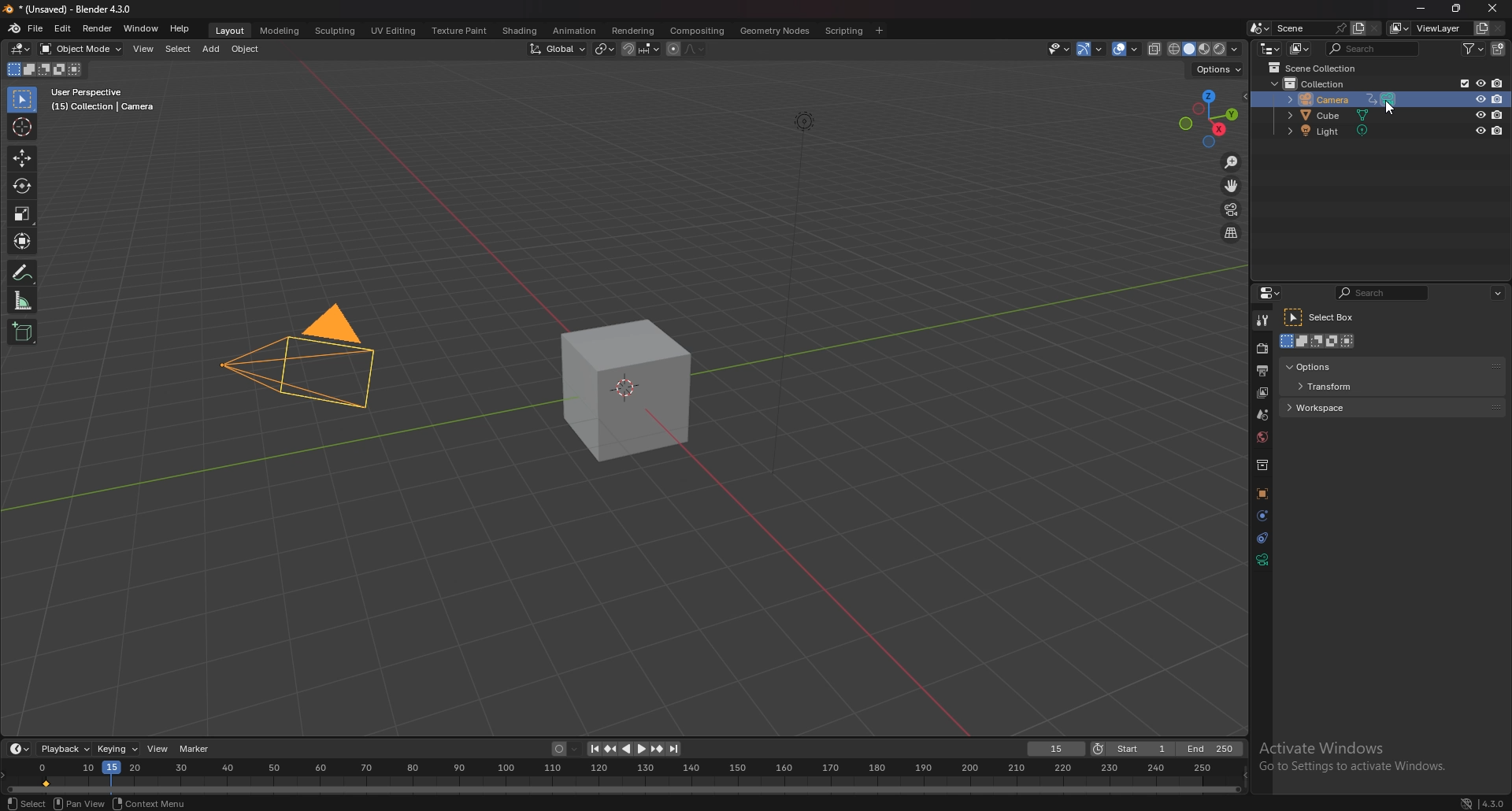 The image size is (1512, 811). What do you see at coordinates (1205, 50) in the screenshot?
I see `viewport shading` at bounding box center [1205, 50].